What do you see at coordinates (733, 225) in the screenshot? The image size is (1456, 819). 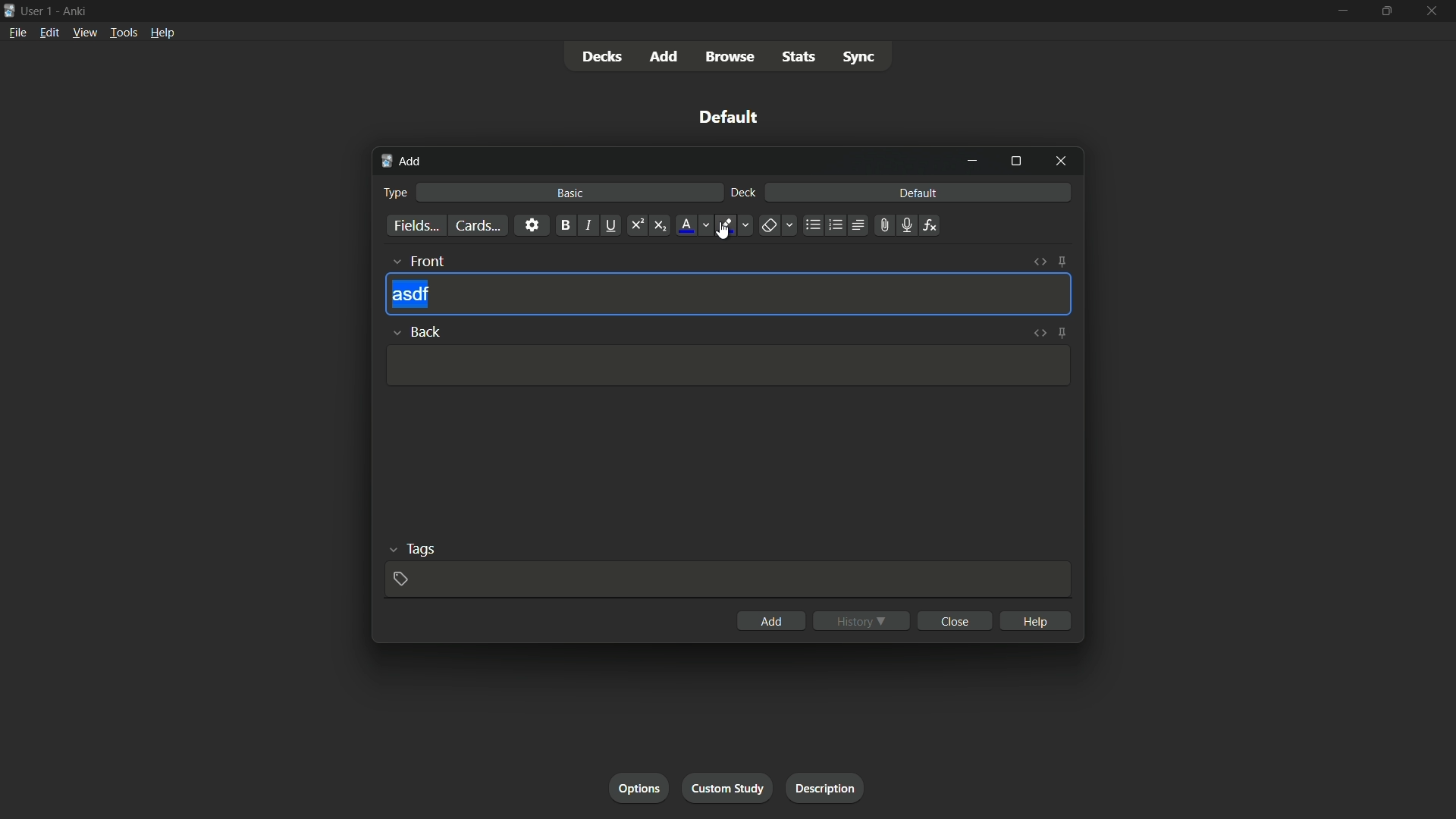 I see `text highlight` at bounding box center [733, 225].